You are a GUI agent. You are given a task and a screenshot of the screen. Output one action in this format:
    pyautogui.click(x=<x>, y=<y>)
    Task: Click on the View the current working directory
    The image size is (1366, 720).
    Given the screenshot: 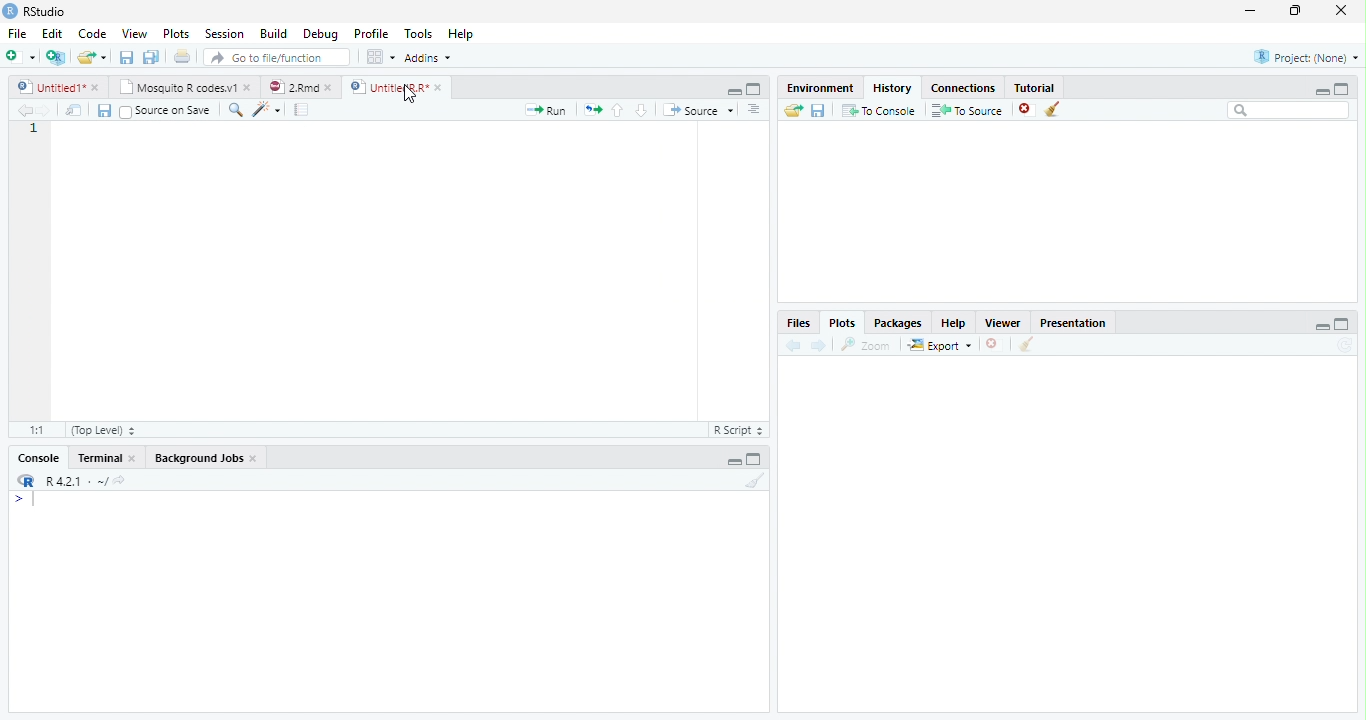 What is the action you would take?
    pyautogui.click(x=119, y=480)
    